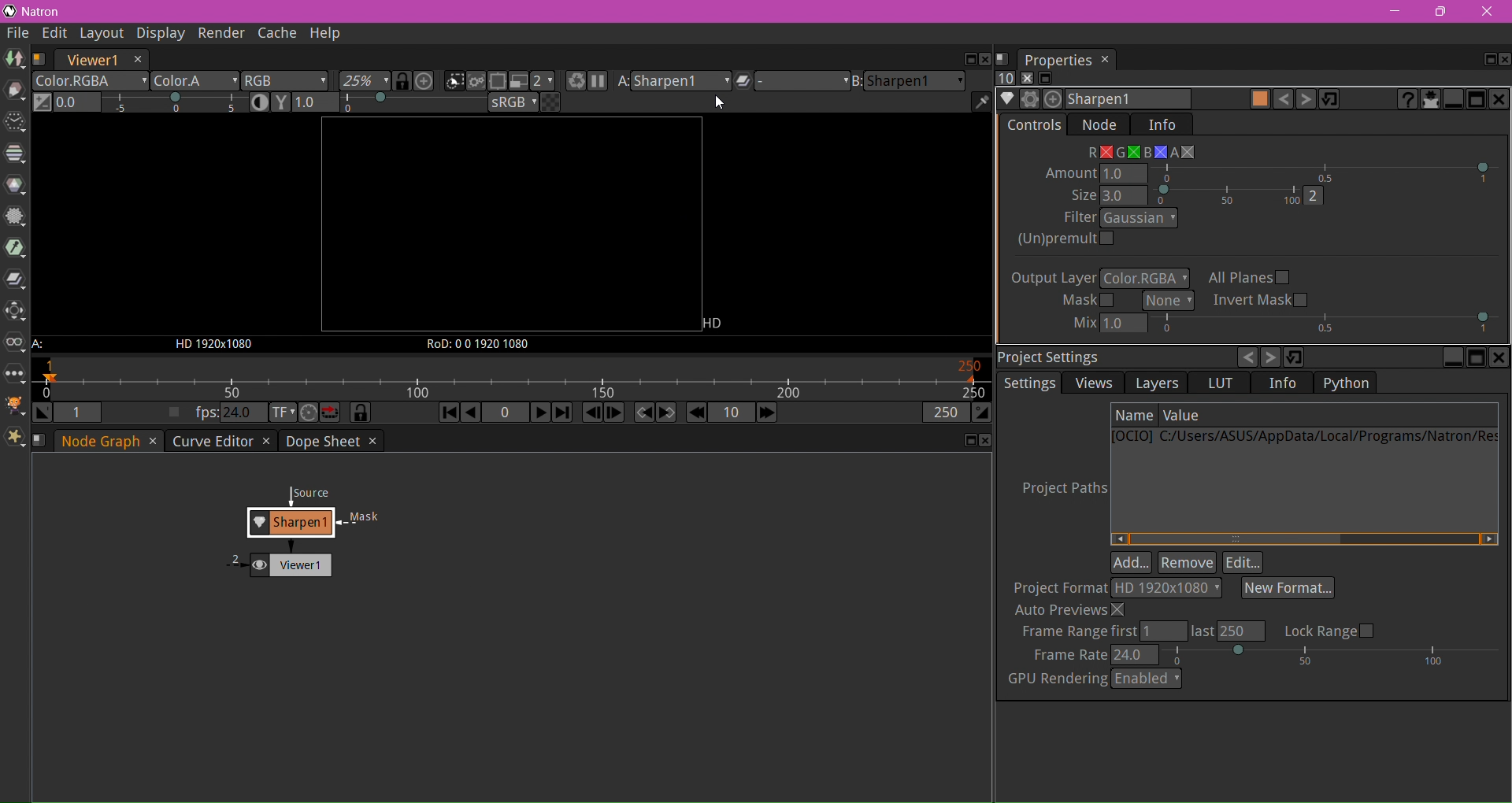  What do you see at coordinates (152, 104) in the screenshot?
I see `Gain` at bounding box center [152, 104].